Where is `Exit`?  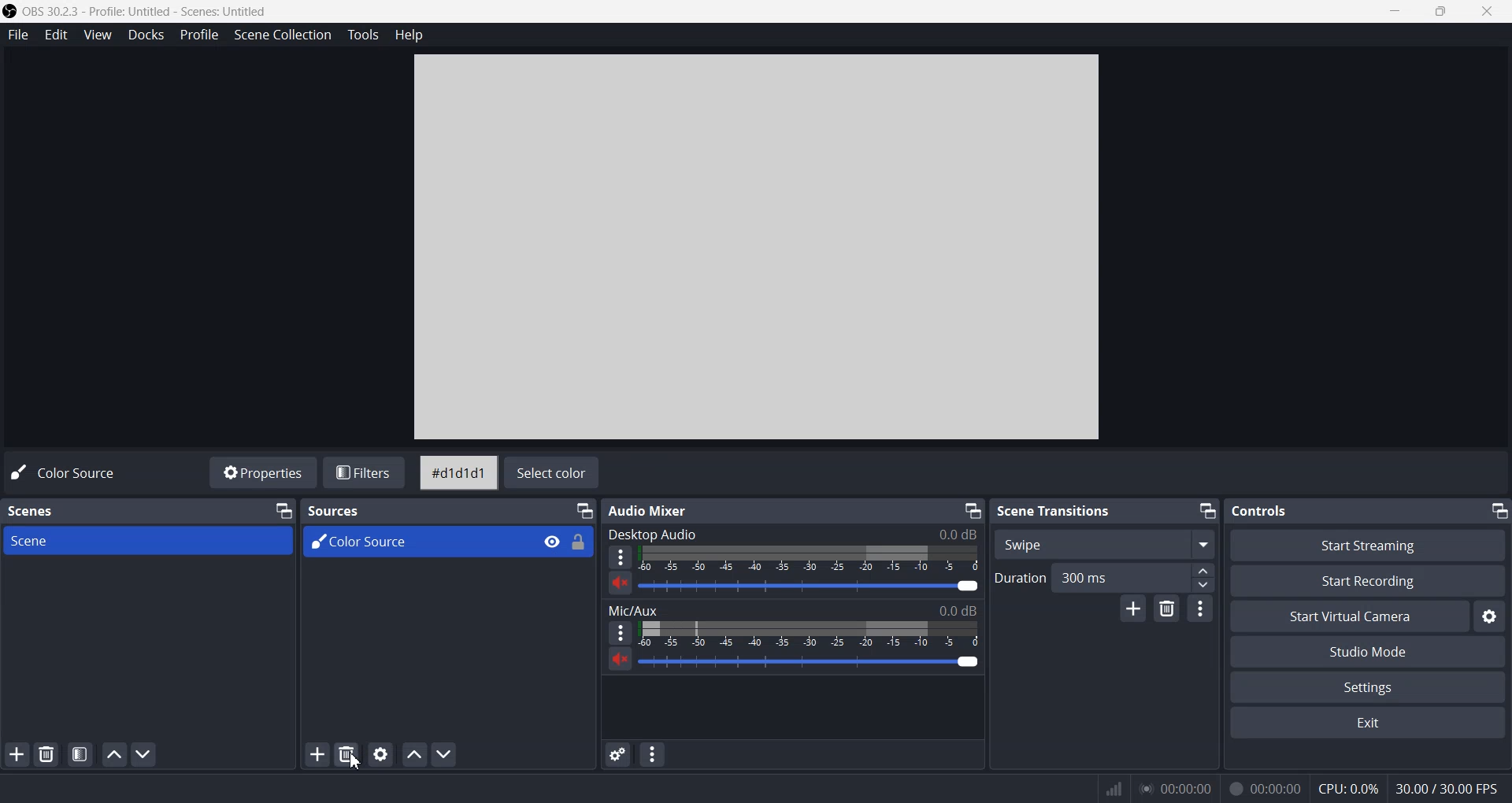 Exit is located at coordinates (1367, 723).